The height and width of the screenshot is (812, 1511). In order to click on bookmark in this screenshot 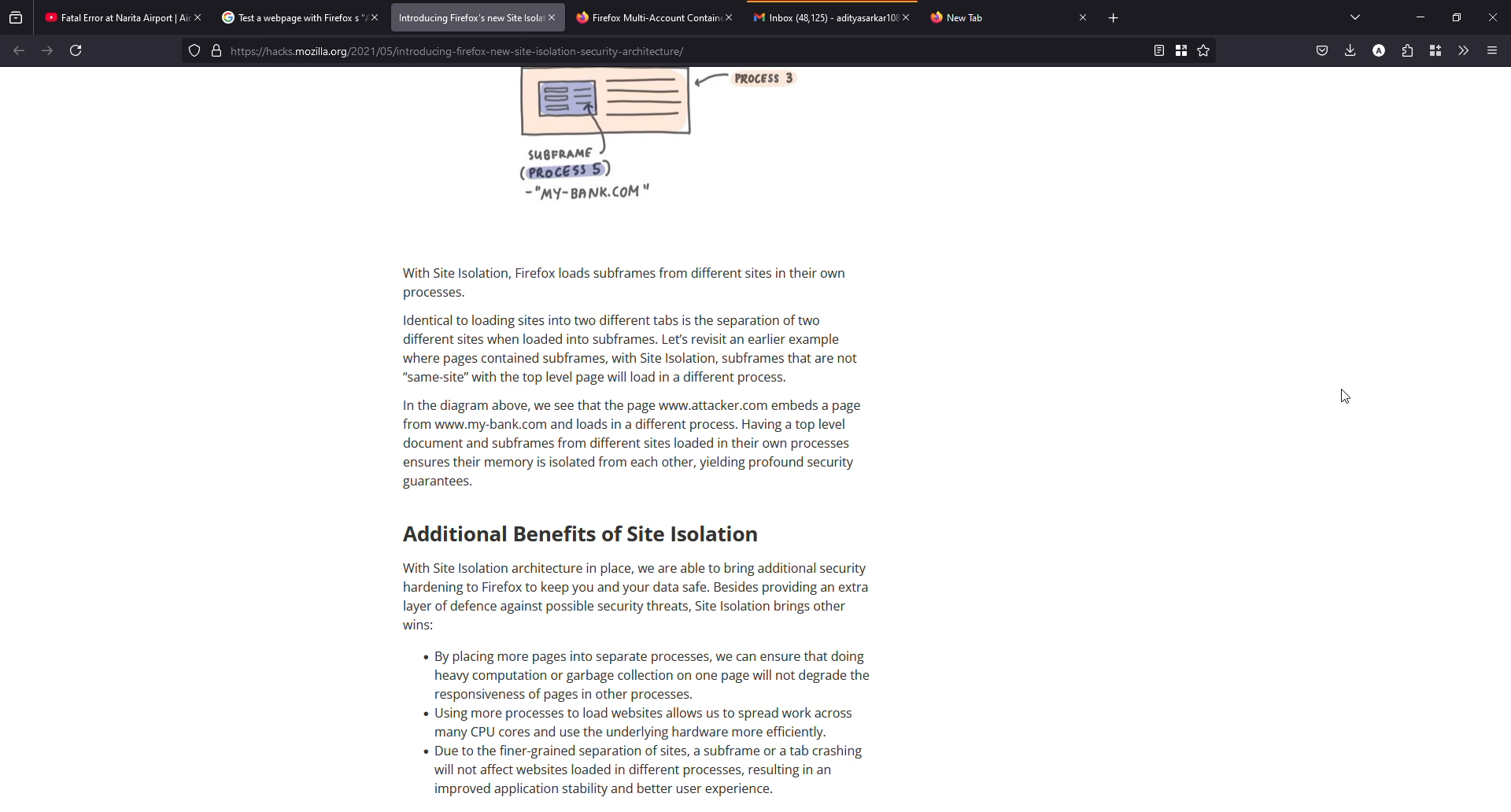, I will do `click(1180, 50)`.